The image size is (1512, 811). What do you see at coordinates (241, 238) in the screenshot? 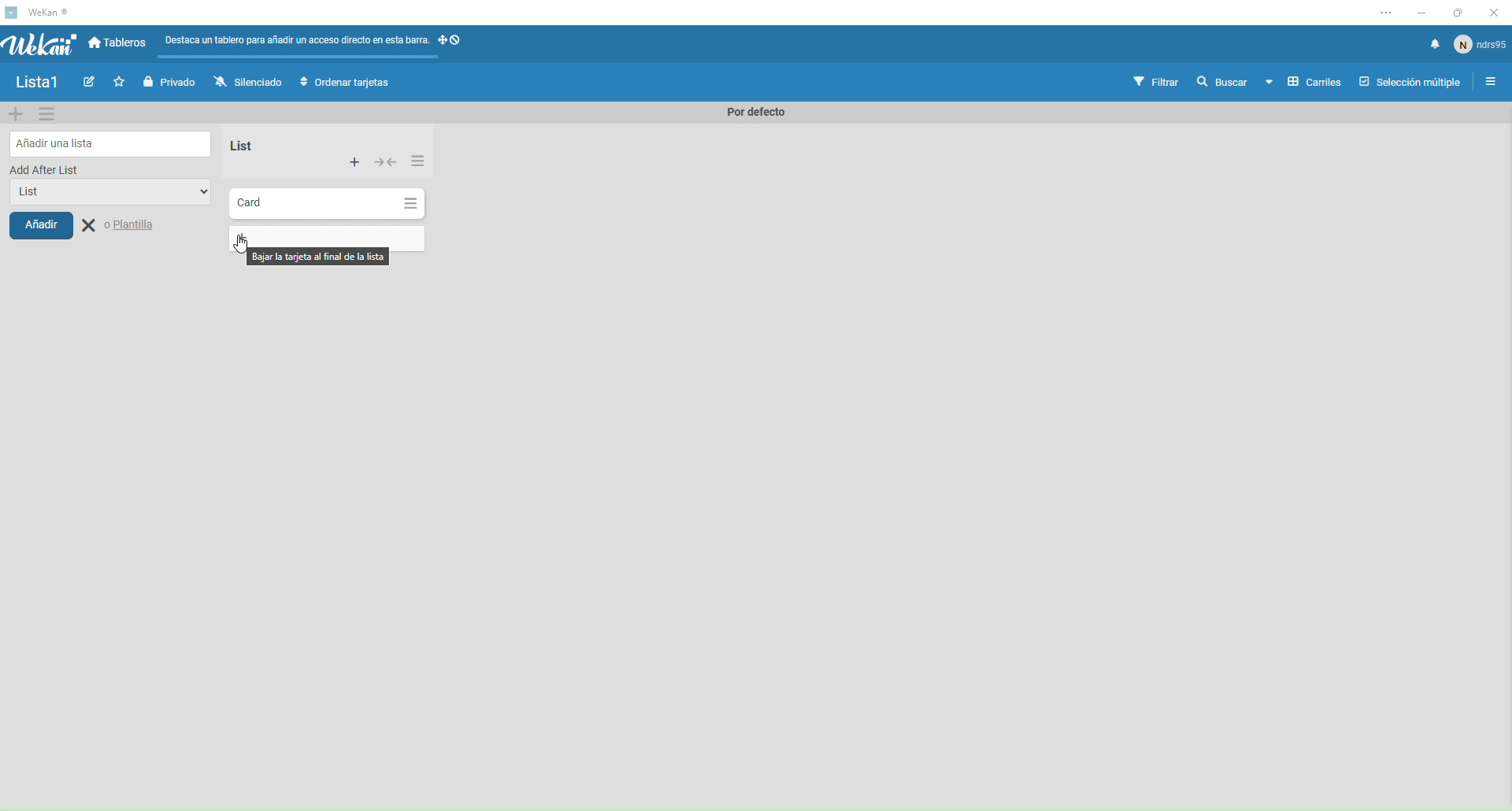
I see `Add Card` at bounding box center [241, 238].